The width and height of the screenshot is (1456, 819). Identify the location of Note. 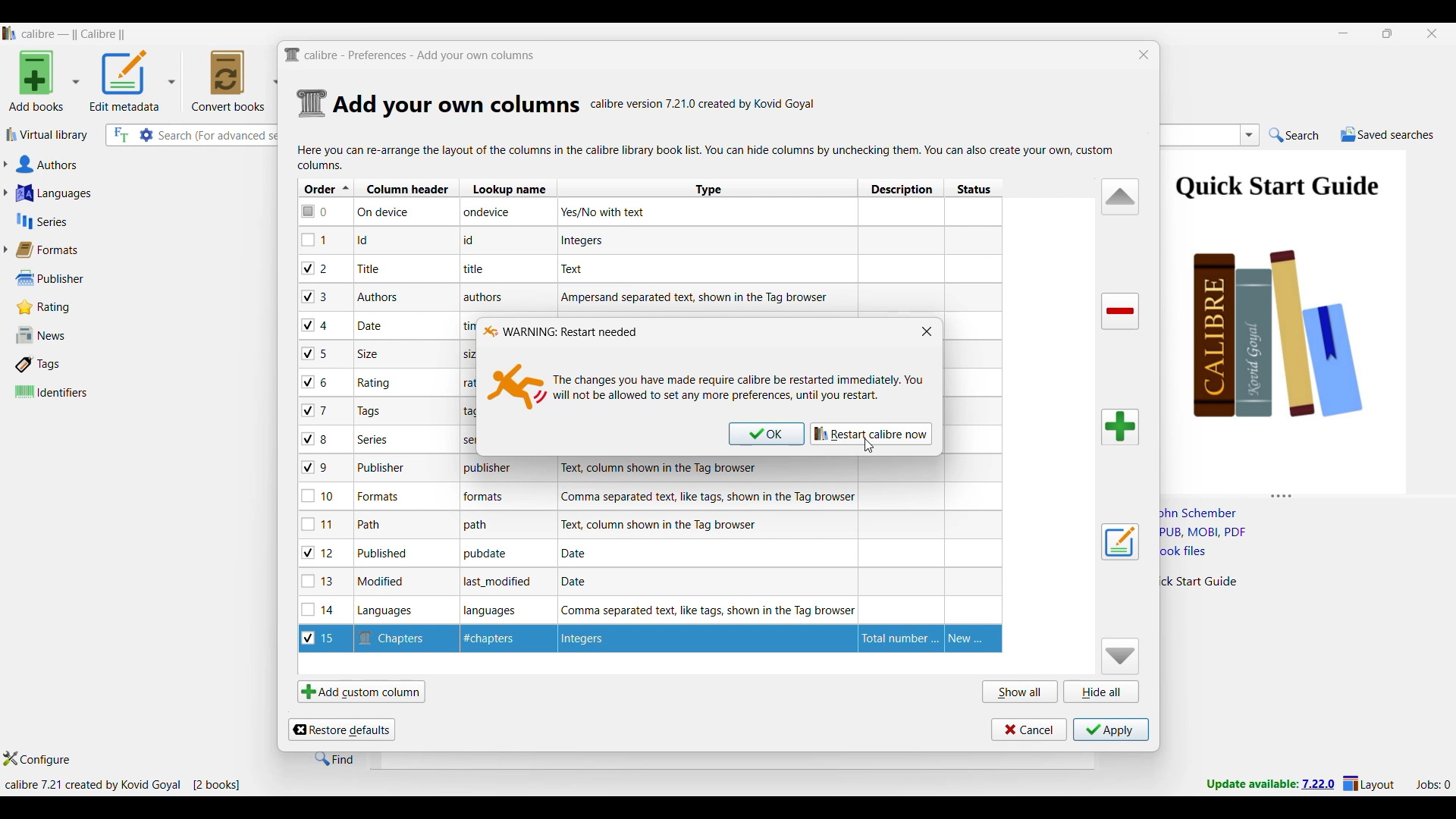
(370, 412).